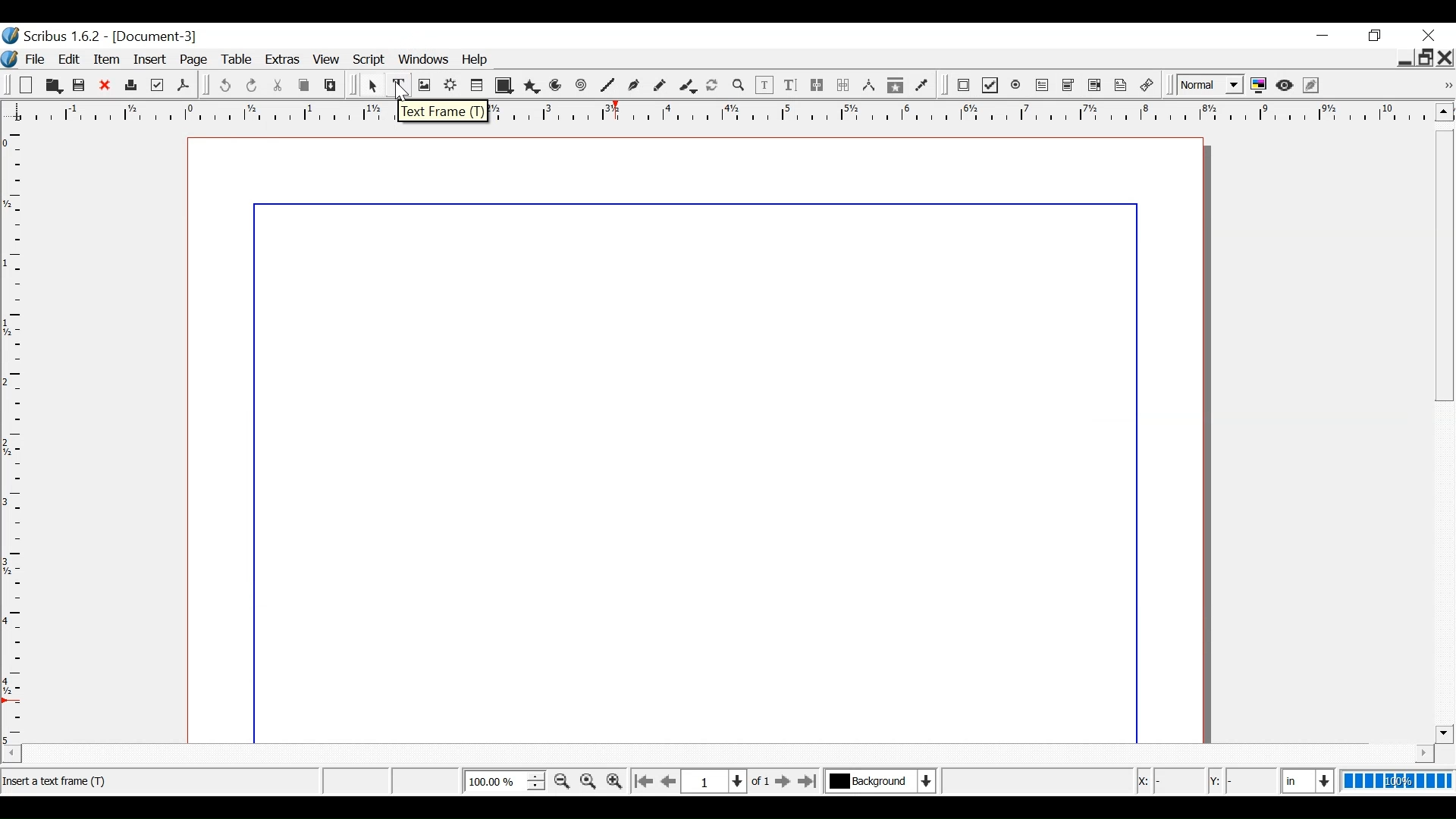 The image size is (1456, 819). I want to click on Insert, so click(152, 58).